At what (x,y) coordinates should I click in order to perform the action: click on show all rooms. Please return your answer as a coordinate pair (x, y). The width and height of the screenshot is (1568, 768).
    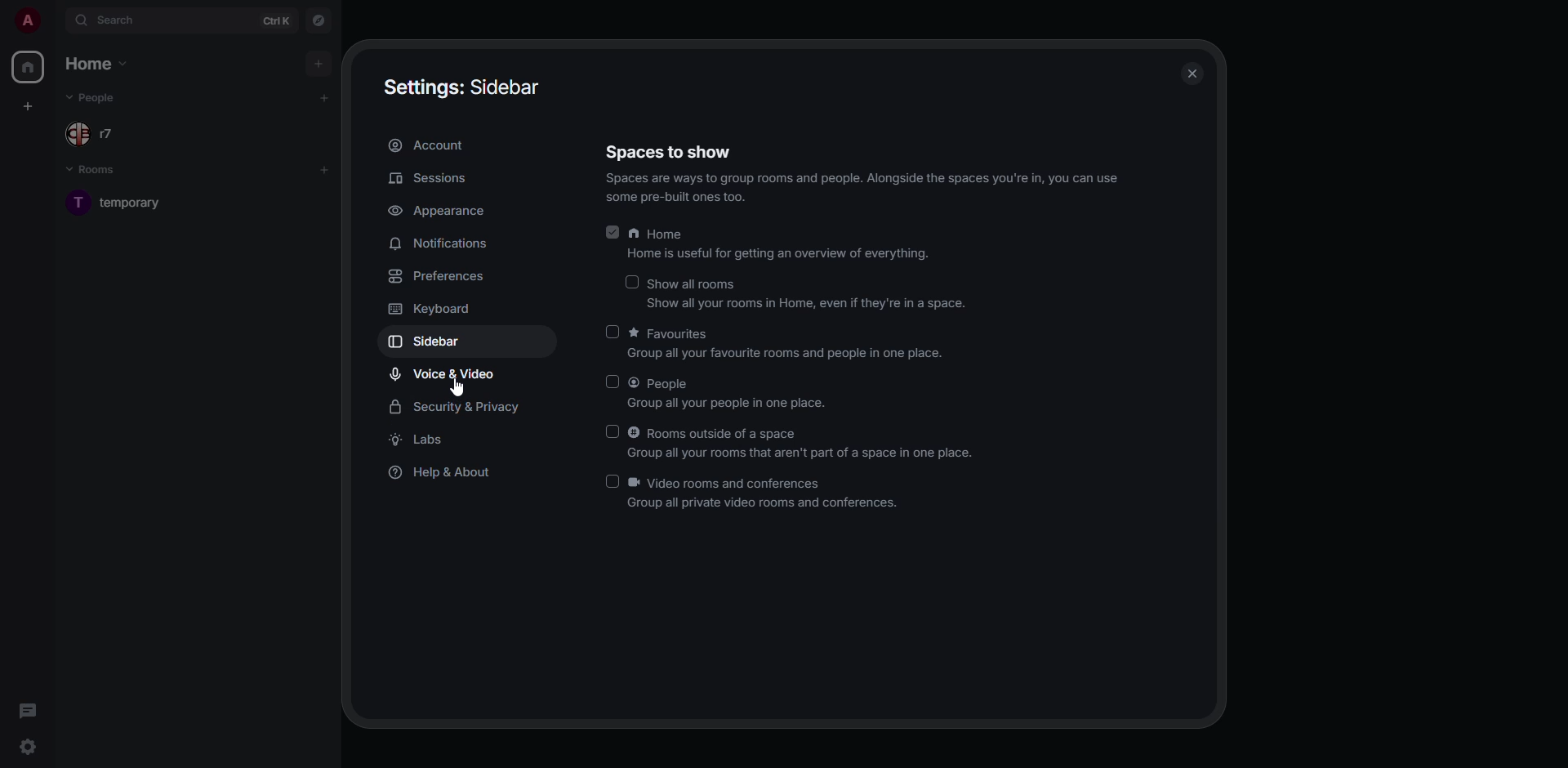
    Looking at the image, I should click on (697, 283).